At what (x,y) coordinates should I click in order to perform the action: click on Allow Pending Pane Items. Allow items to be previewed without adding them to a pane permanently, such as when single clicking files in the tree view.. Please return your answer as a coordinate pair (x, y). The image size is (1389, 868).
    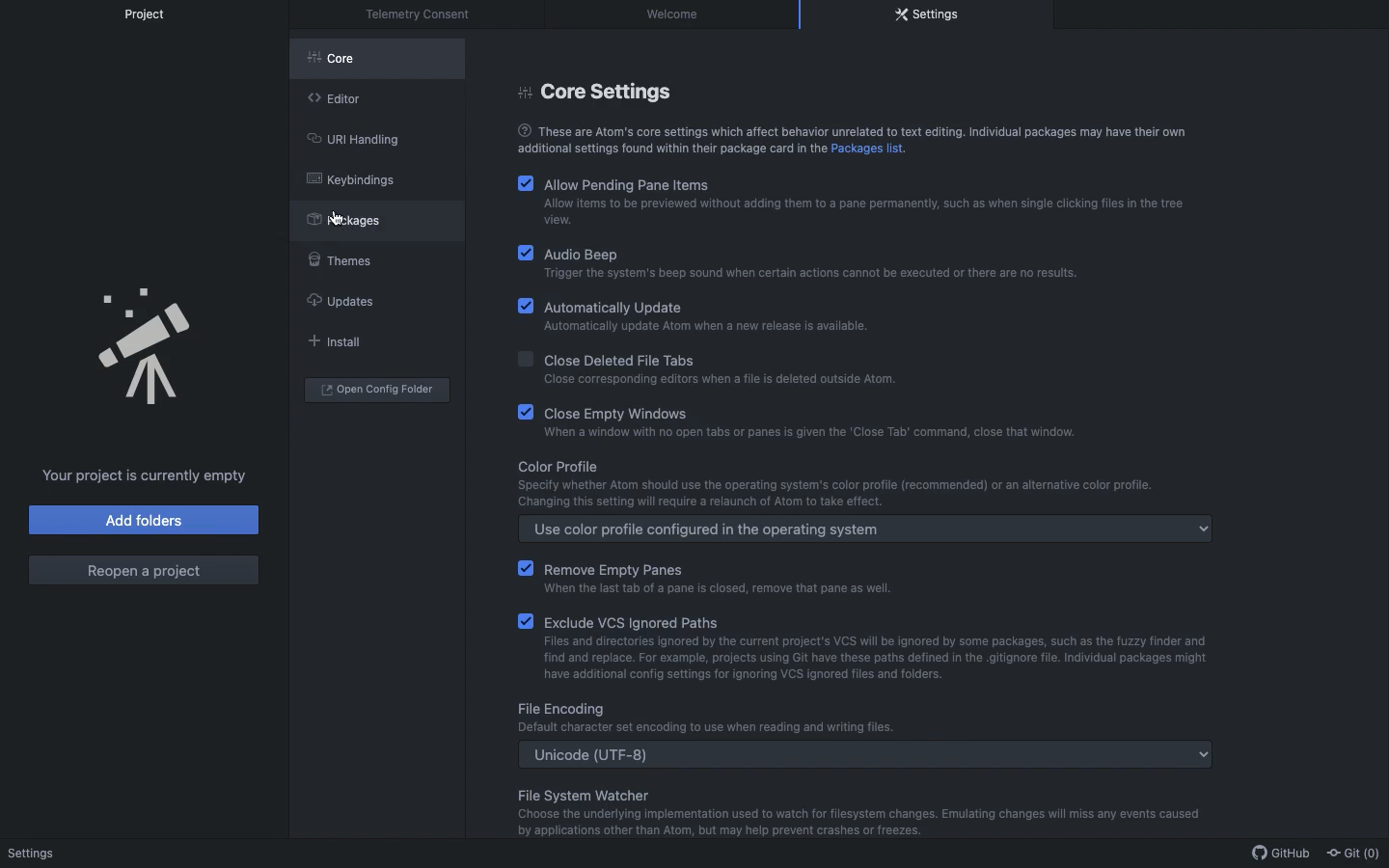
    Looking at the image, I should click on (853, 201).